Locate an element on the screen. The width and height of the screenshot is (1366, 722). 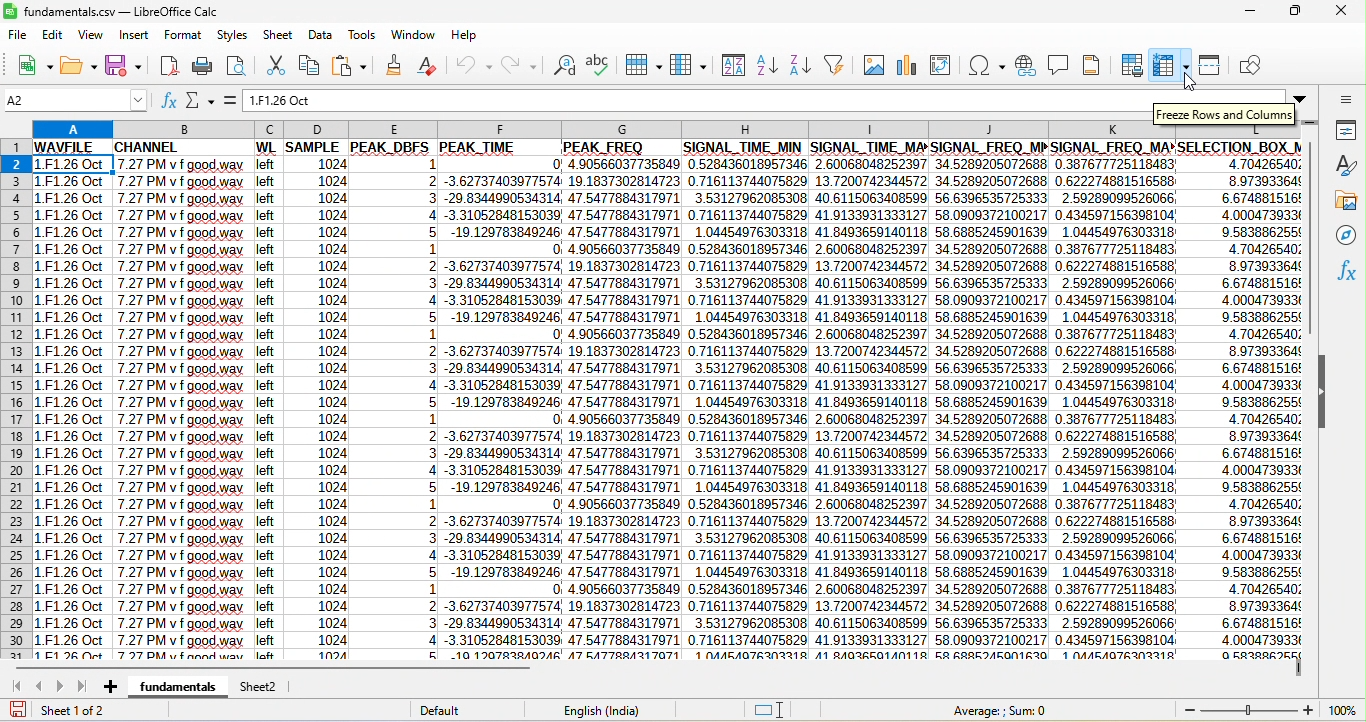
format is located at coordinates (182, 36).